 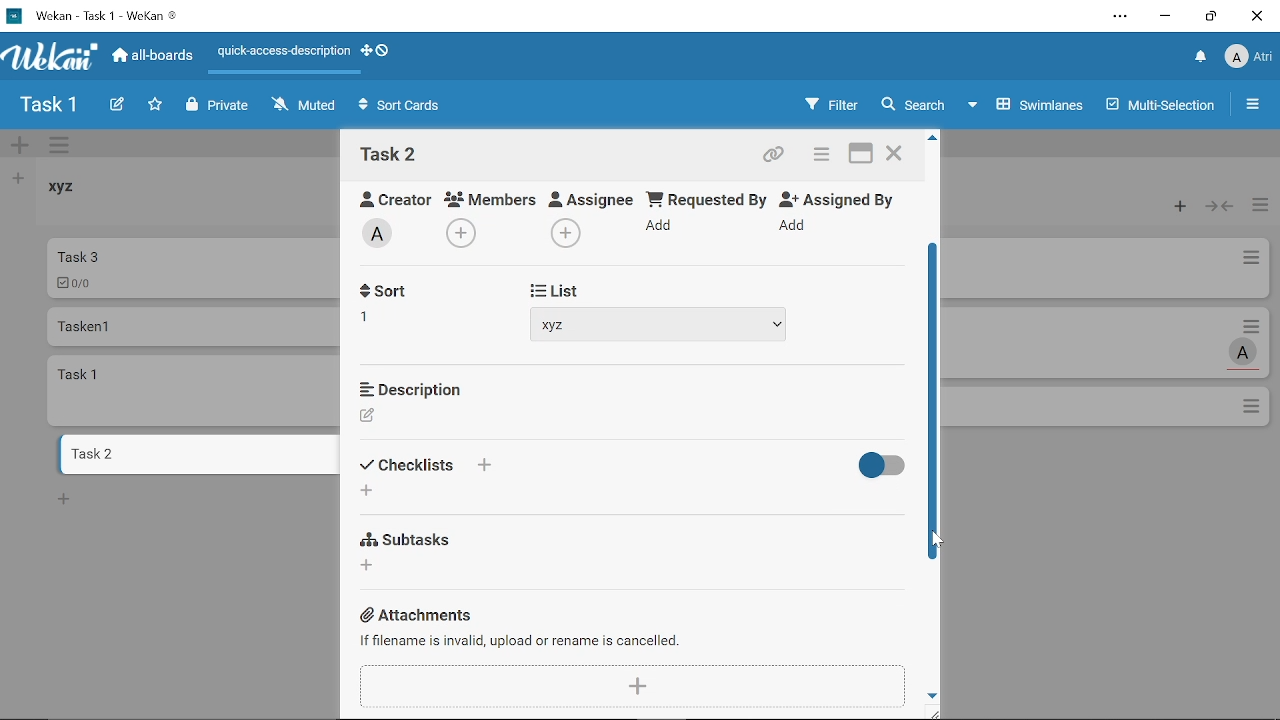 I want to click on Card actions, so click(x=1256, y=325).